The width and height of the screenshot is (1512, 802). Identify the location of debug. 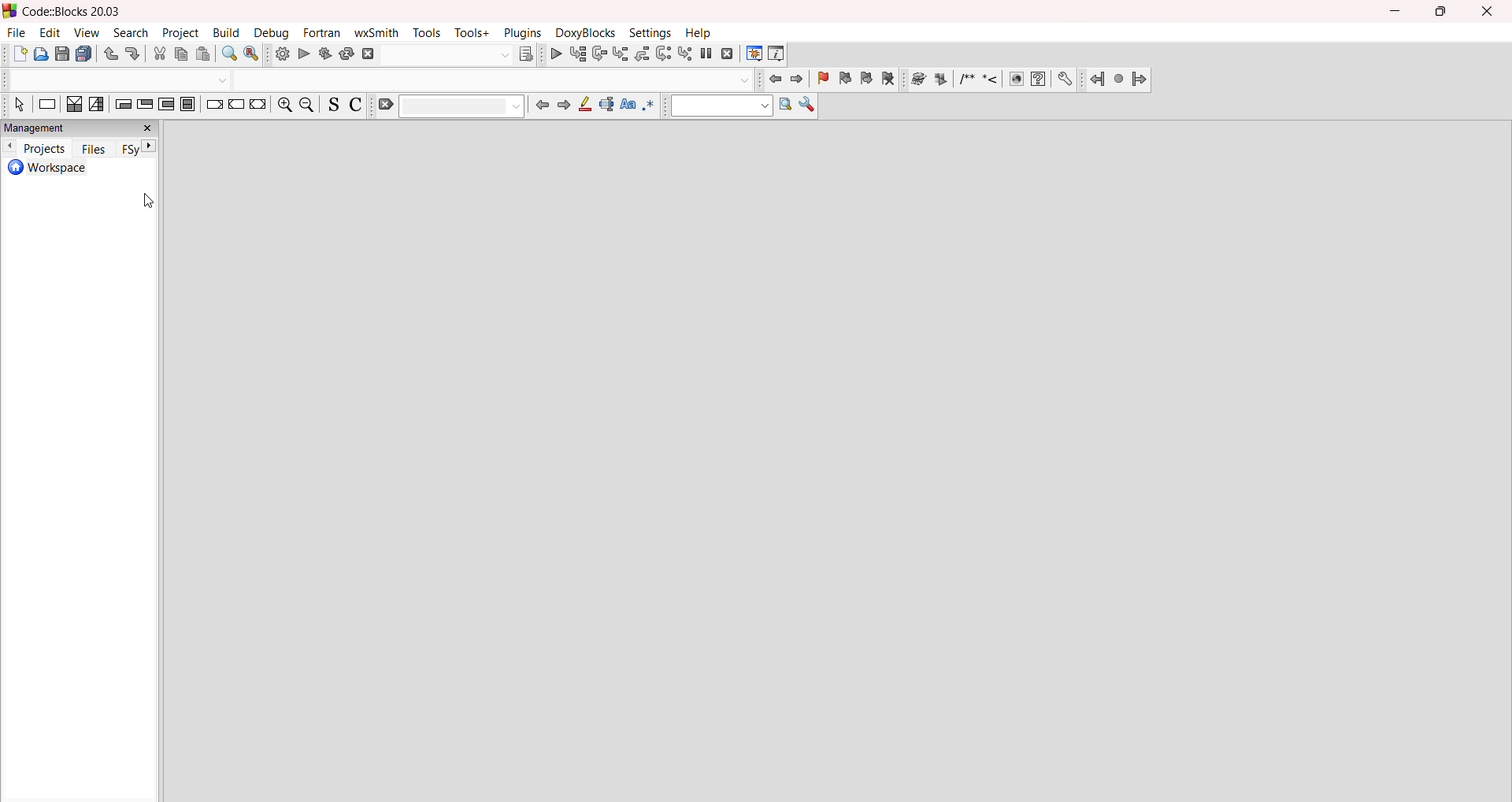
(274, 33).